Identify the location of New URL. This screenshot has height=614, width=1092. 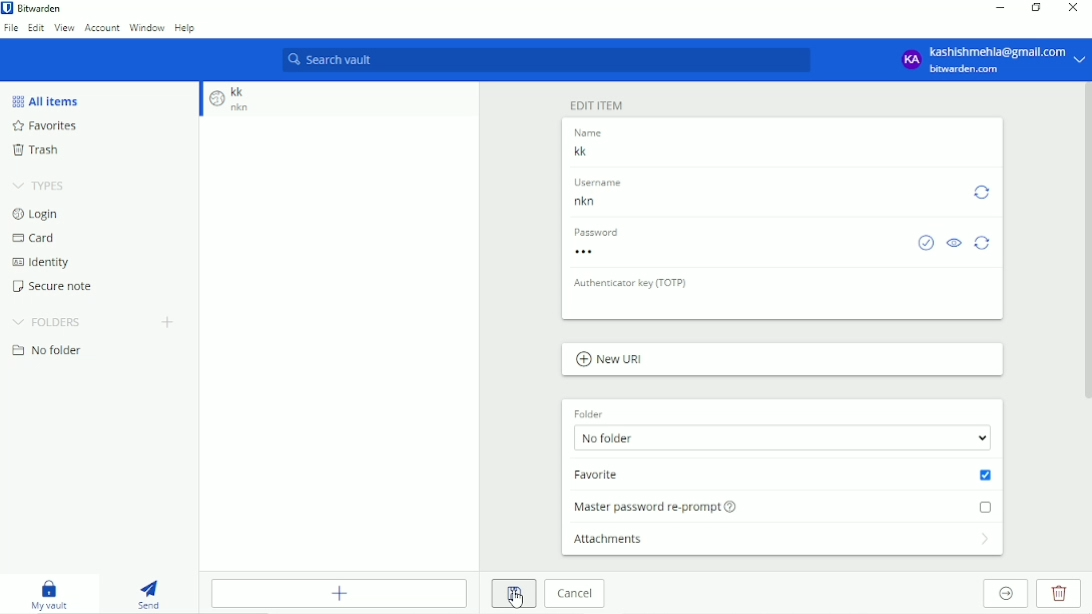
(610, 359).